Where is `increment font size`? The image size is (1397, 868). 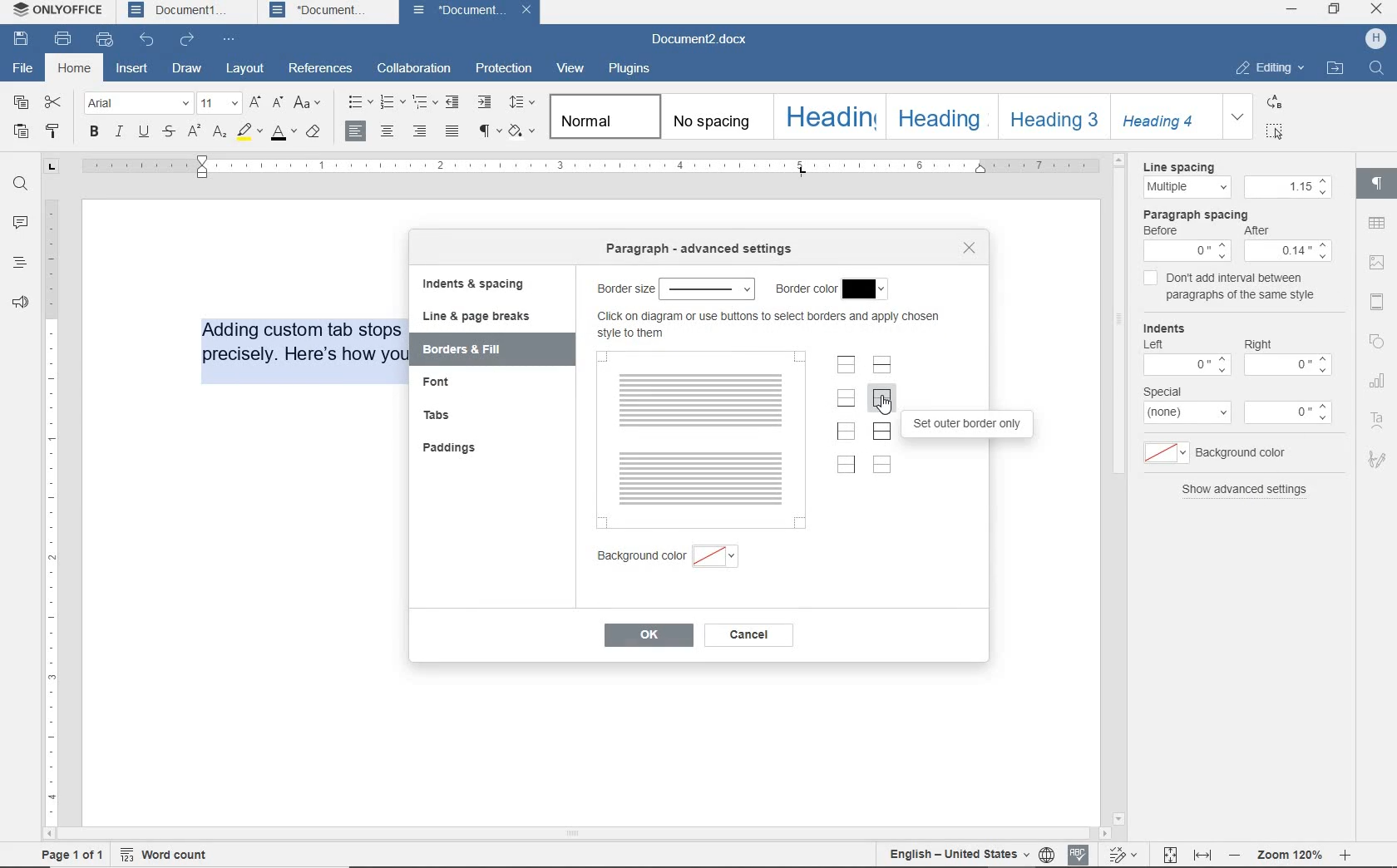
increment font size is located at coordinates (254, 104).